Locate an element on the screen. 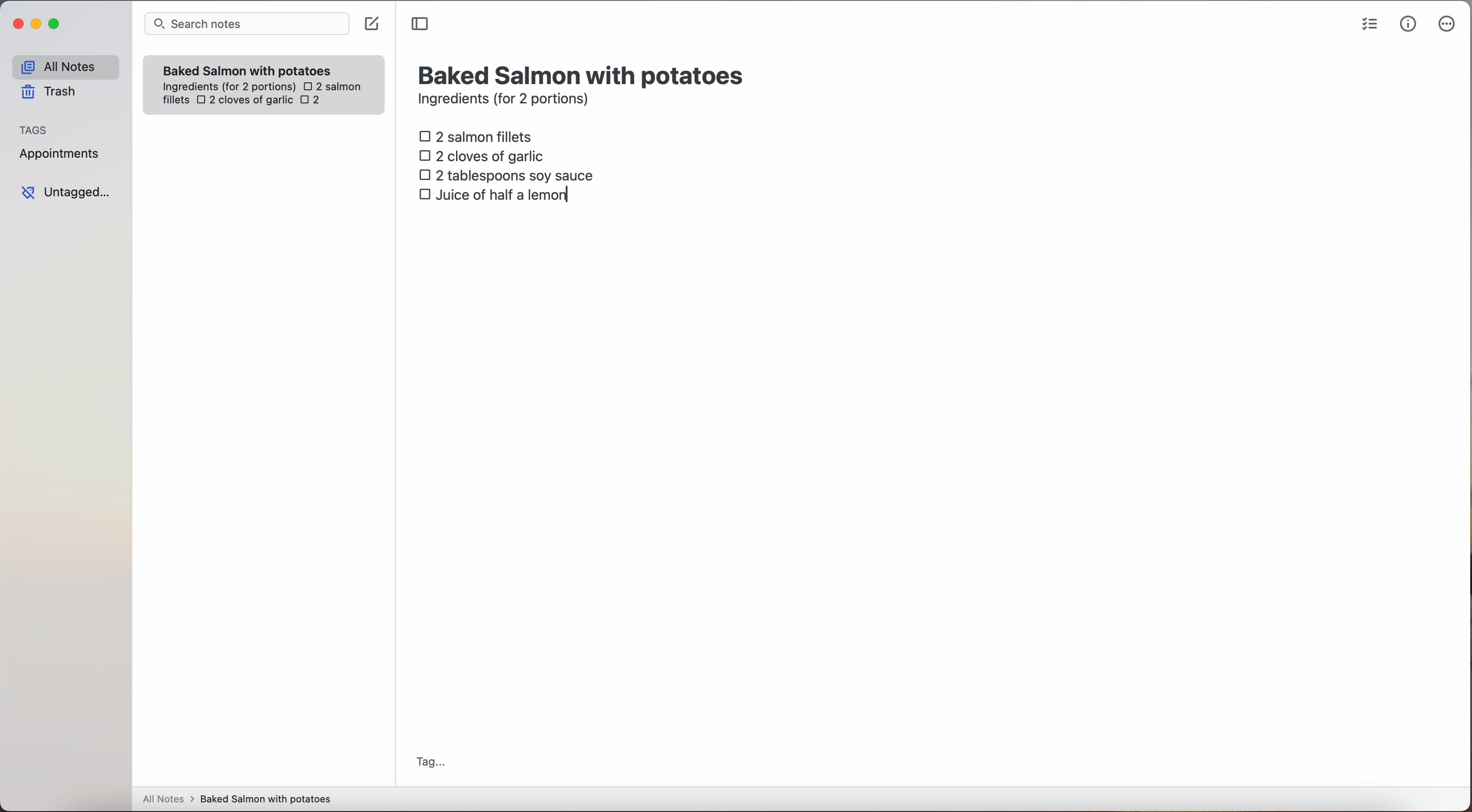  metrics is located at coordinates (1409, 23).